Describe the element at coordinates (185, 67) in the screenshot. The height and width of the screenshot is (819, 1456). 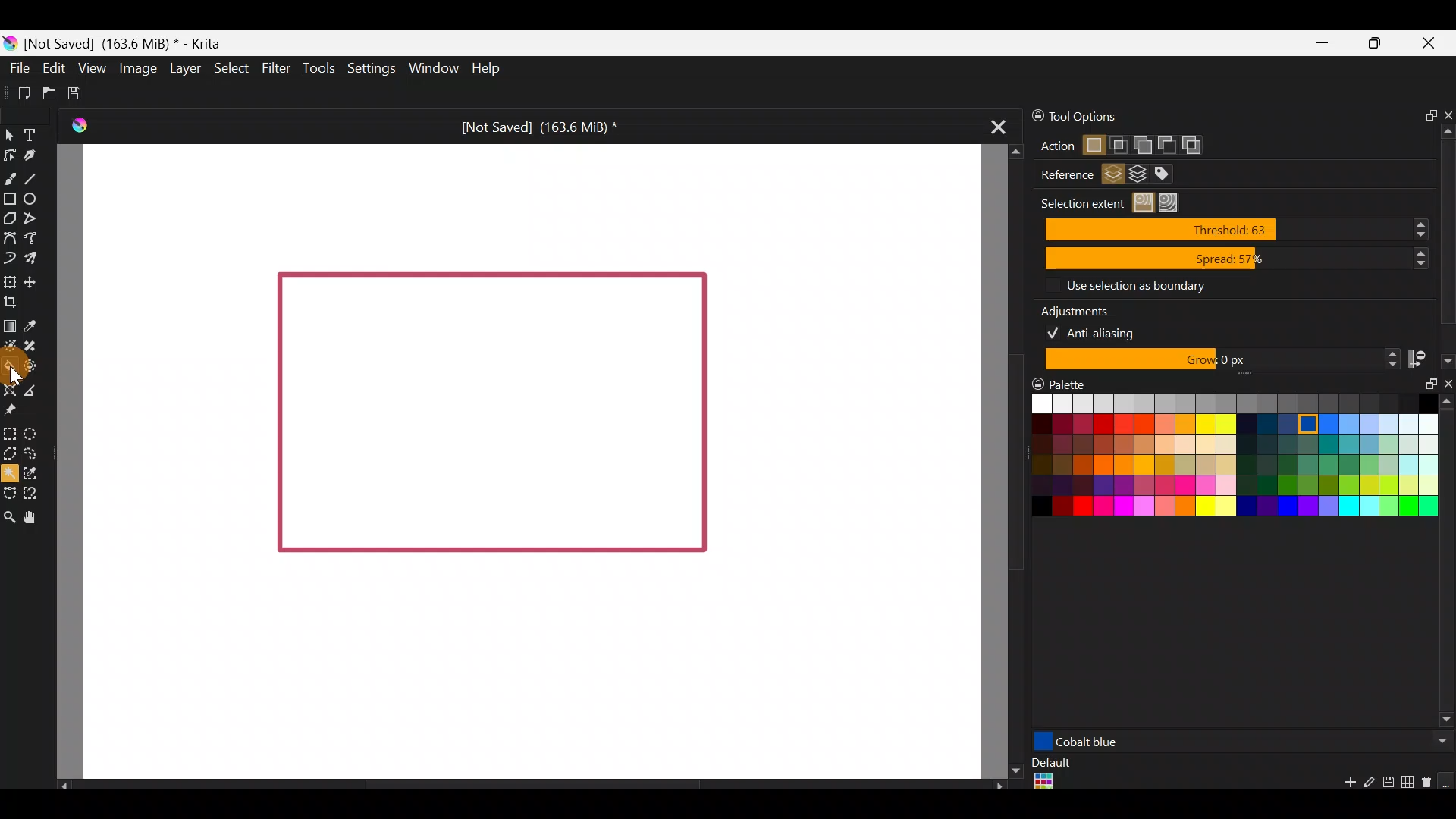
I see `Layer` at that location.